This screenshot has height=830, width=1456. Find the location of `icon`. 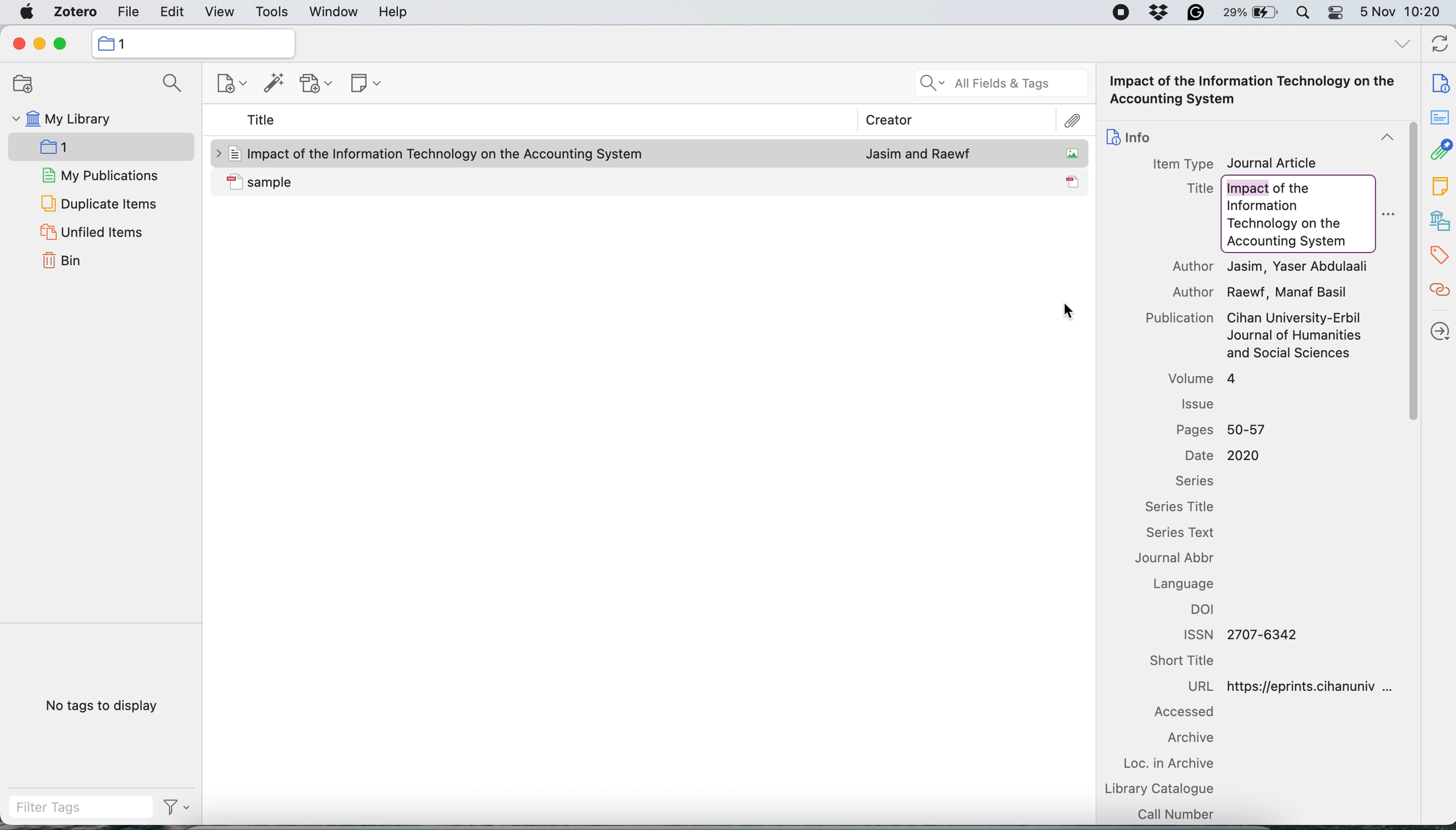

icon is located at coordinates (1073, 153).